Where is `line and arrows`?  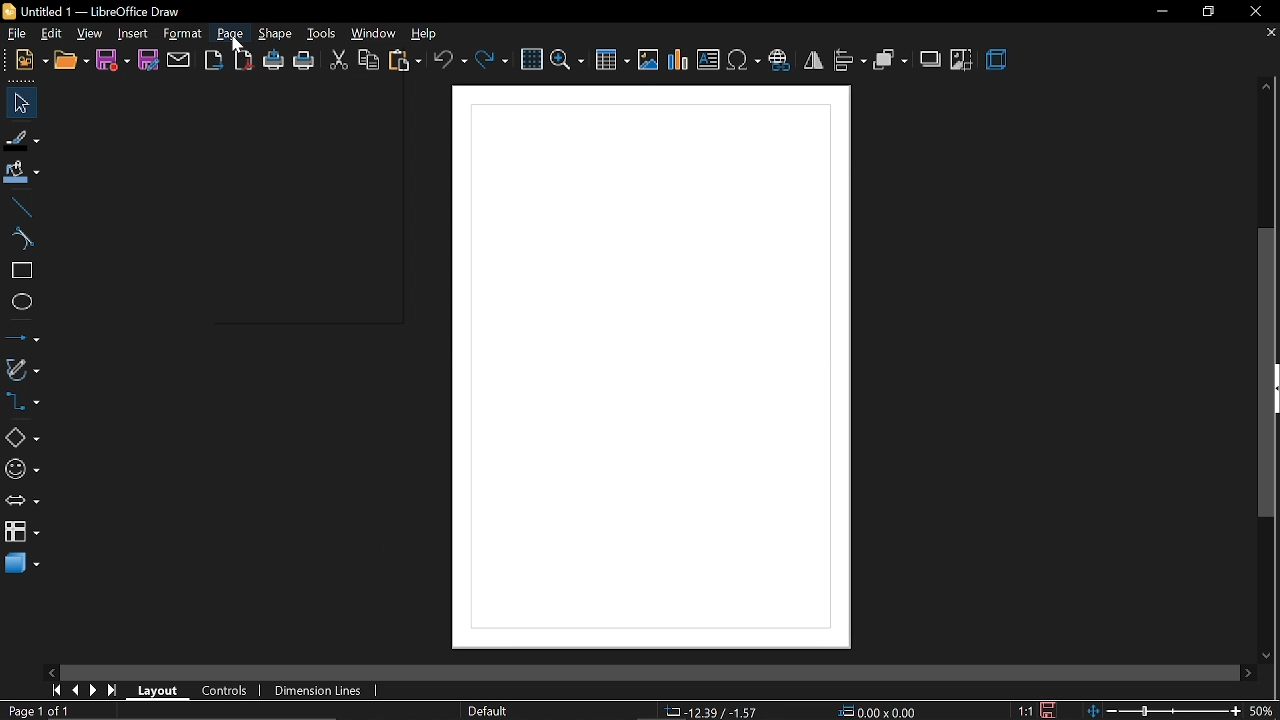
line and arrows is located at coordinates (22, 338).